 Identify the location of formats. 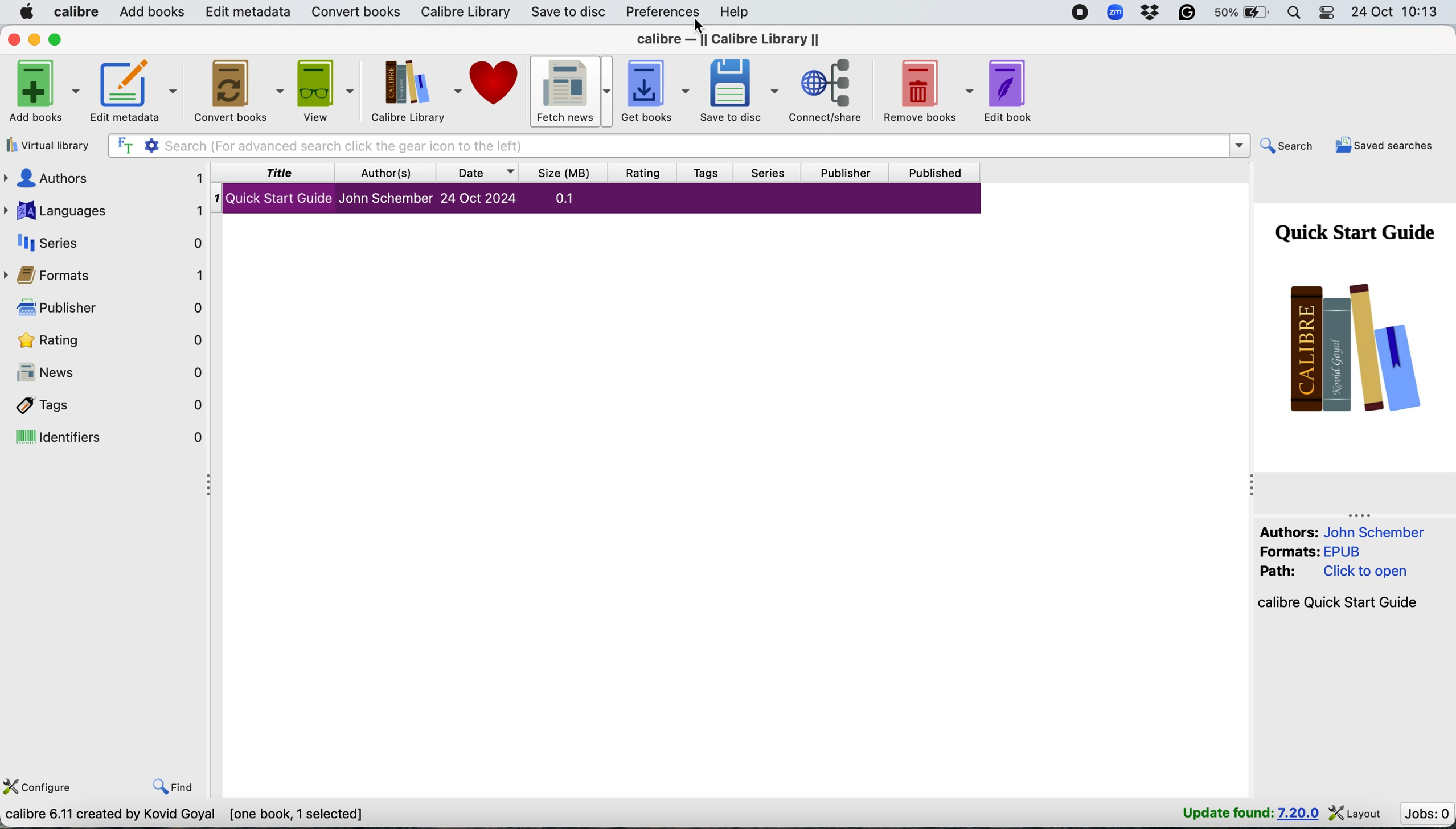
(110, 276).